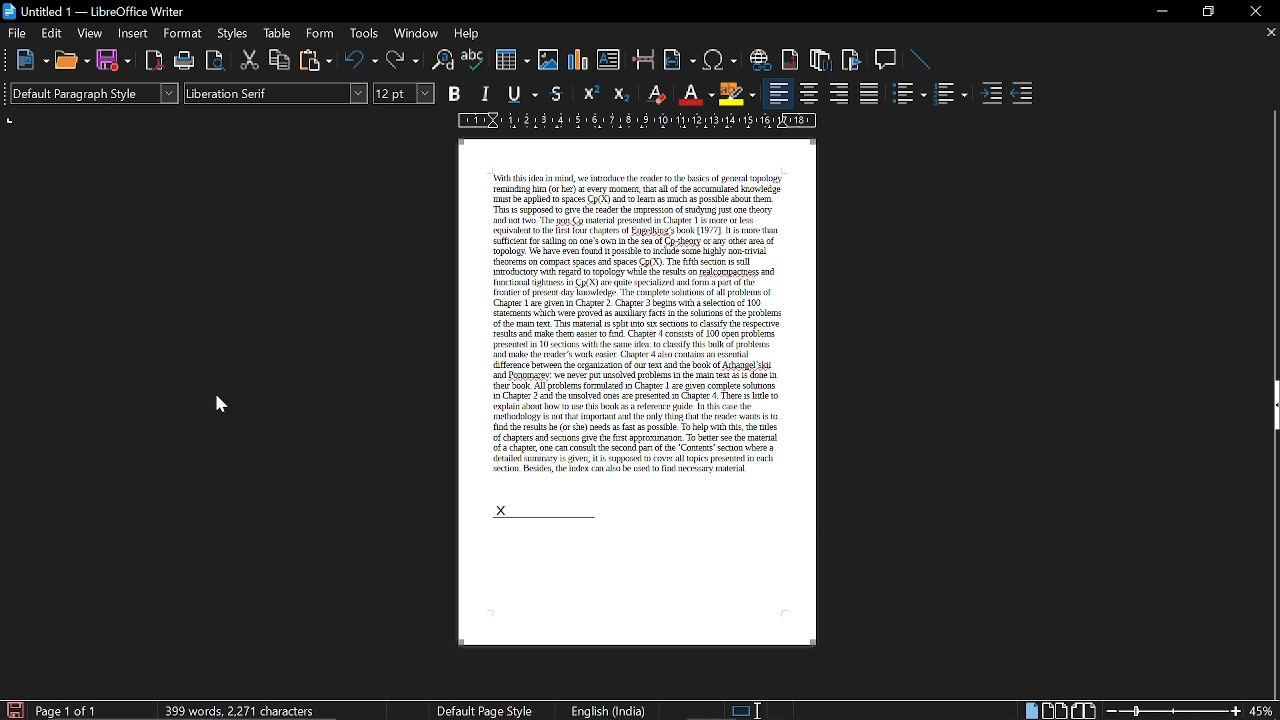  What do you see at coordinates (808, 94) in the screenshot?
I see `center` at bounding box center [808, 94].